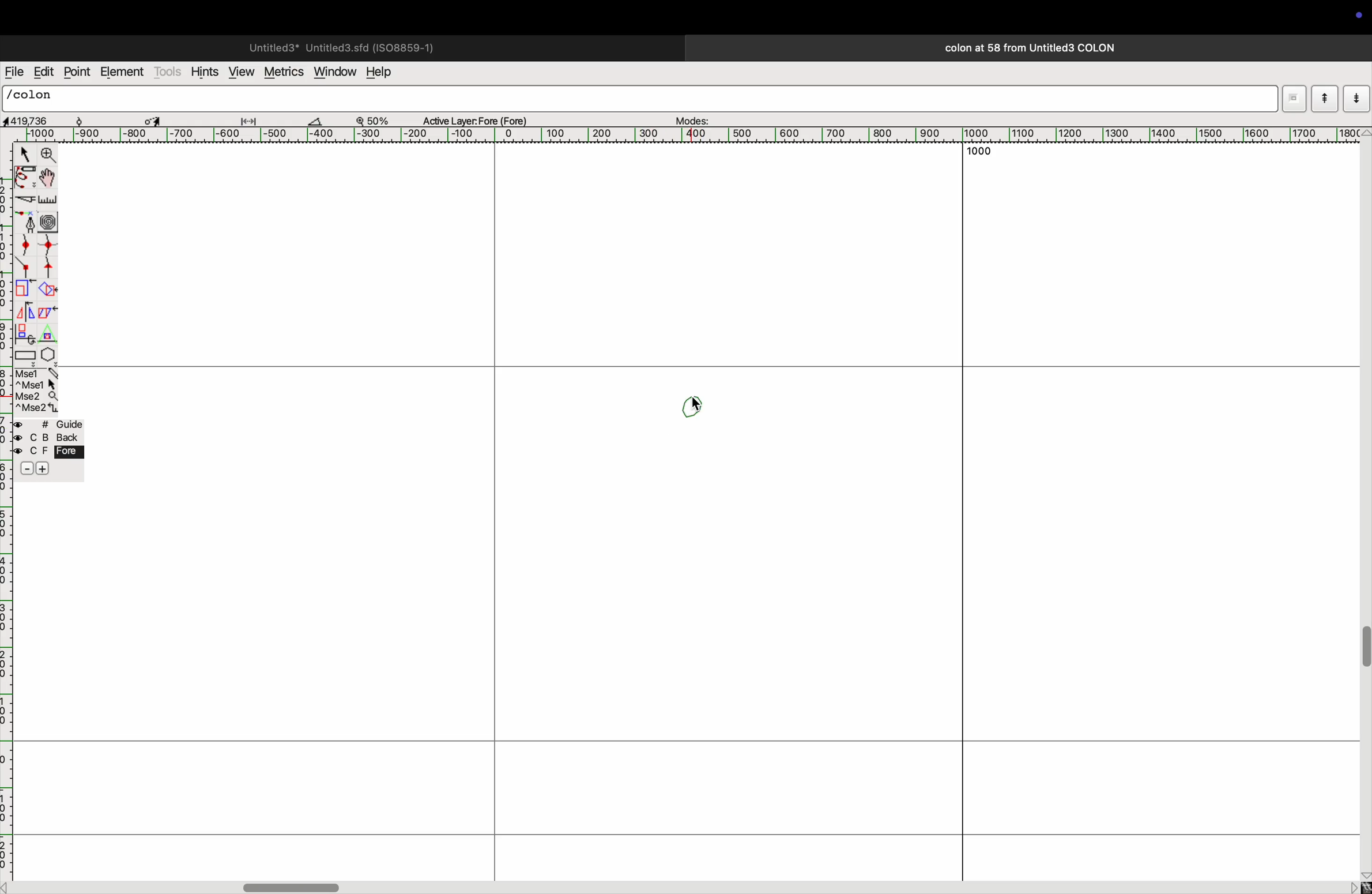 This screenshot has height=894, width=1372. Describe the element at coordinates (699, 405) in the screenshot. I see `cursor` at that location.